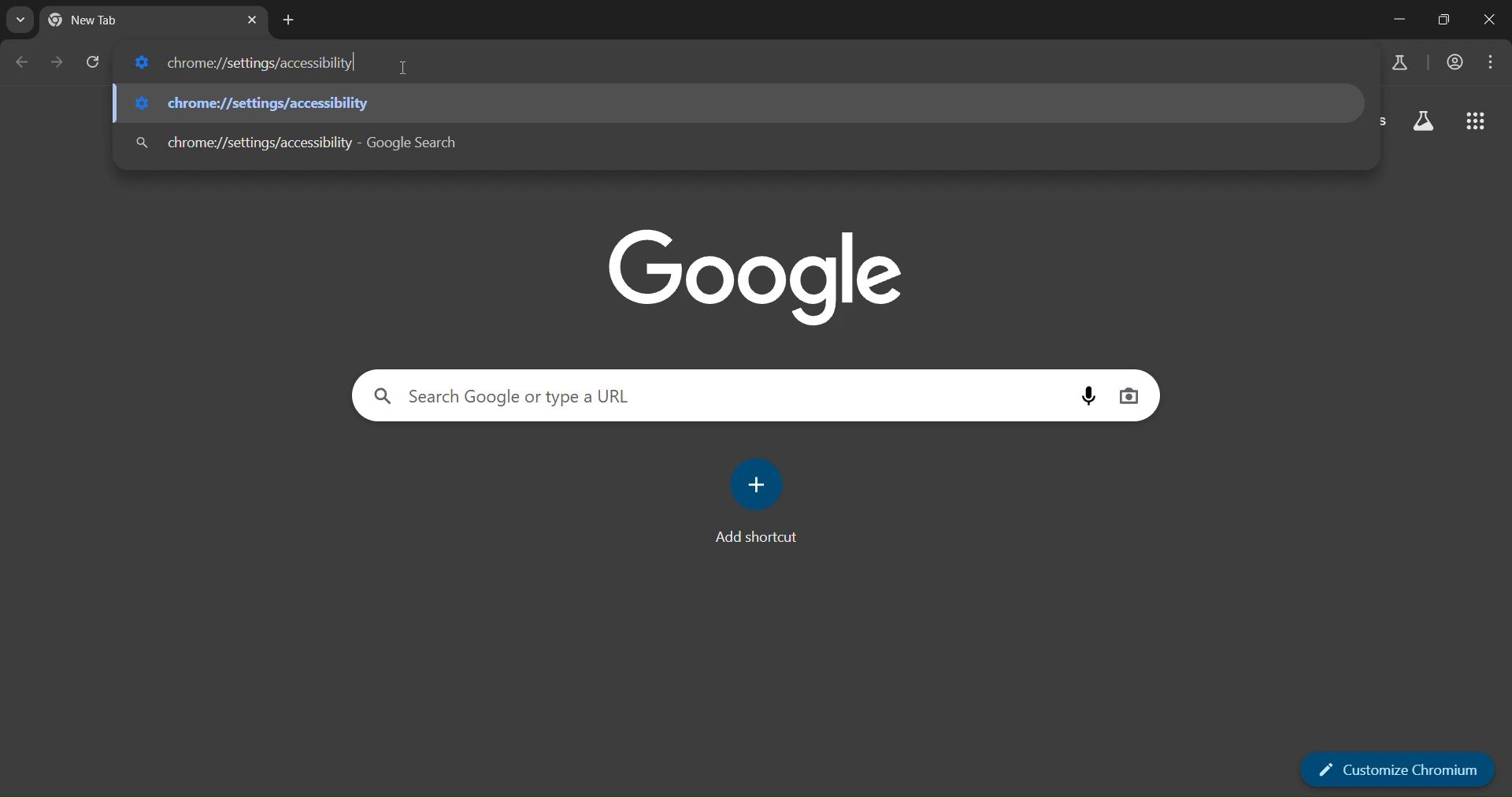  What do you see at coordinates (295, 141) in the screenshot?
I see `chrome//settings/accessibility - Google Search` at bounding box center [295, 141].